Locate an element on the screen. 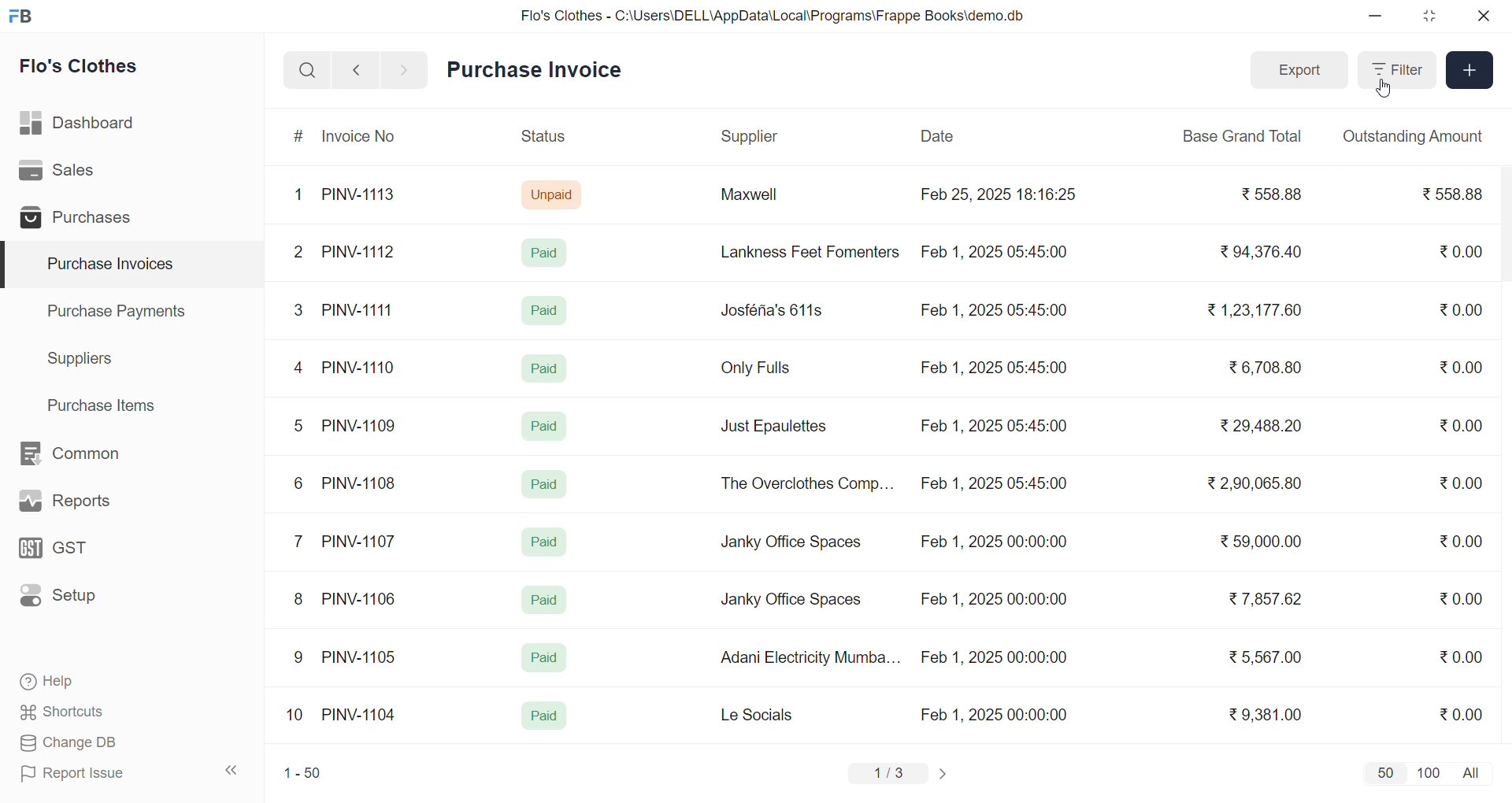 This screenshot has width=1512, height=803. Common is located at coordinates (87, 454).